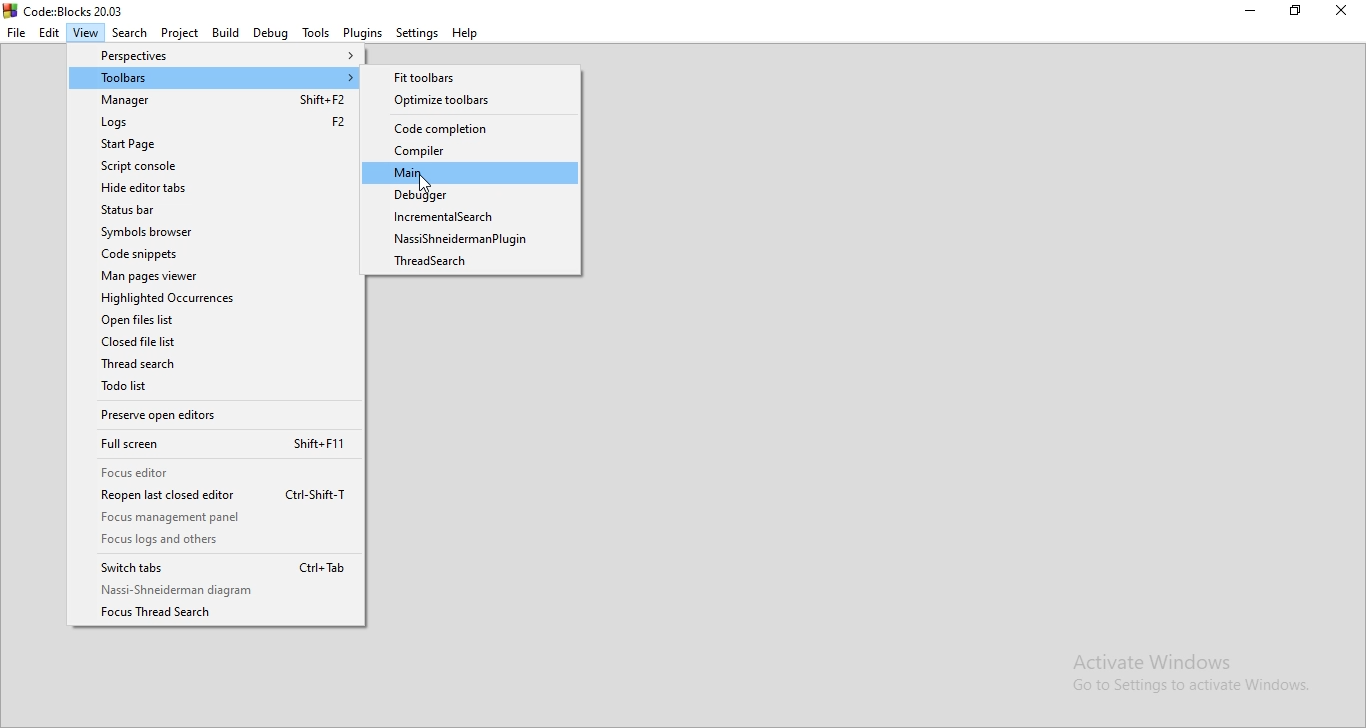  What do you see at coordinates (225, 494) in the screenshot?
I see `Reopen last closed editor` at bounding box center [225, 494].